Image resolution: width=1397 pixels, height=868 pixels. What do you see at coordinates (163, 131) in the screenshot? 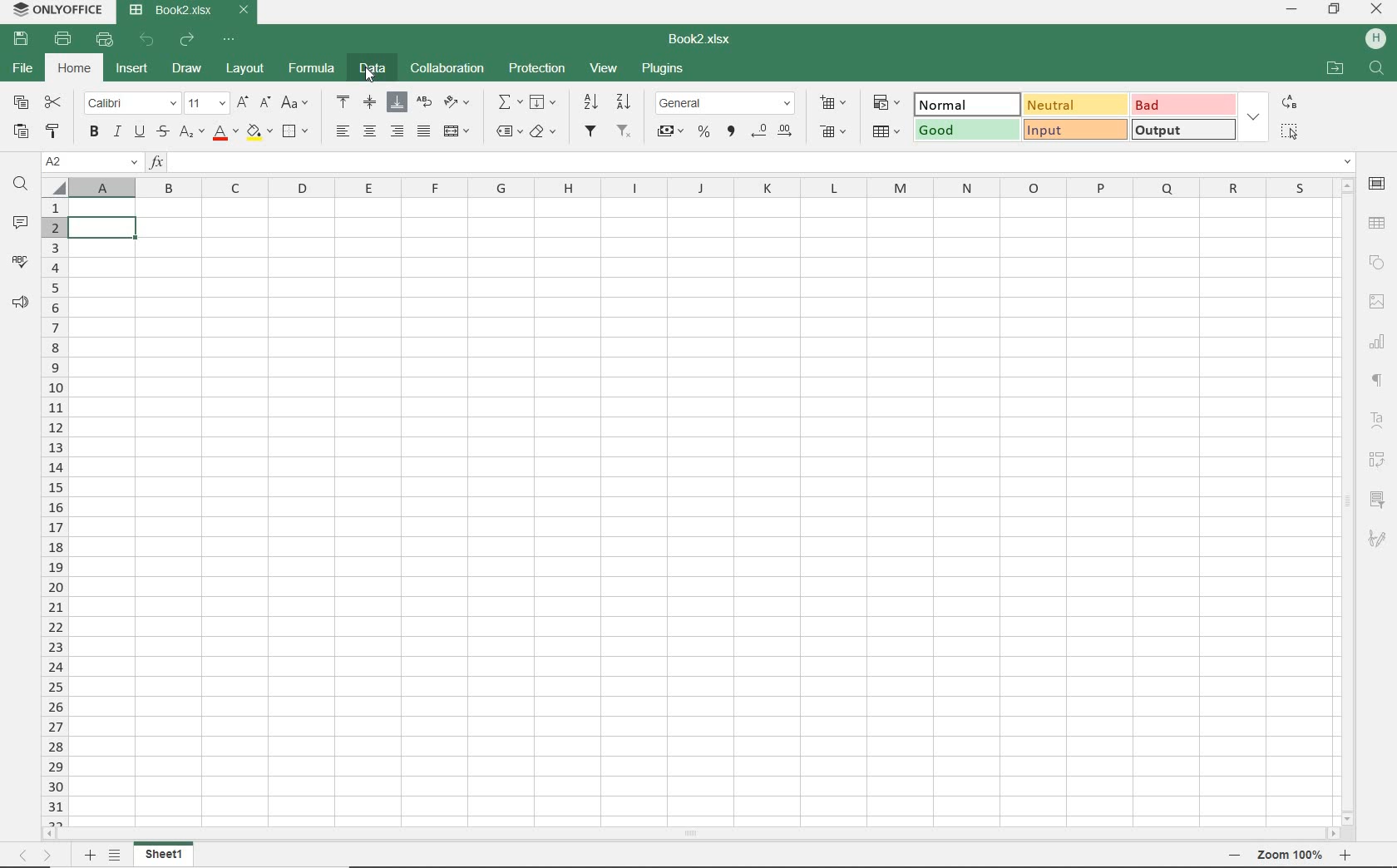
I see `STRIKETHROUGH` at bounding box center [163, 131].